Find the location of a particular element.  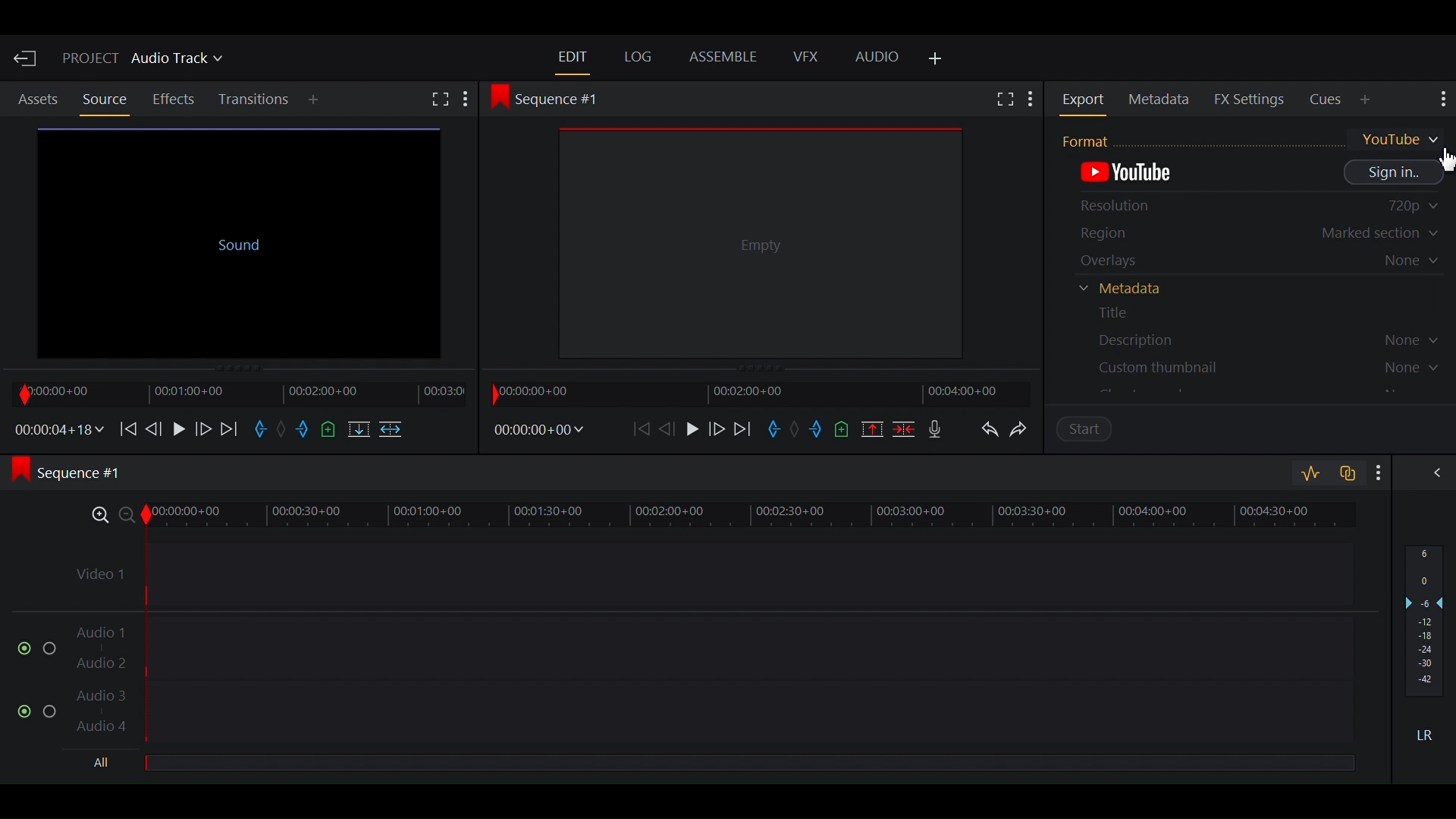

Show settings menu is located at coordinates (1440, 99).